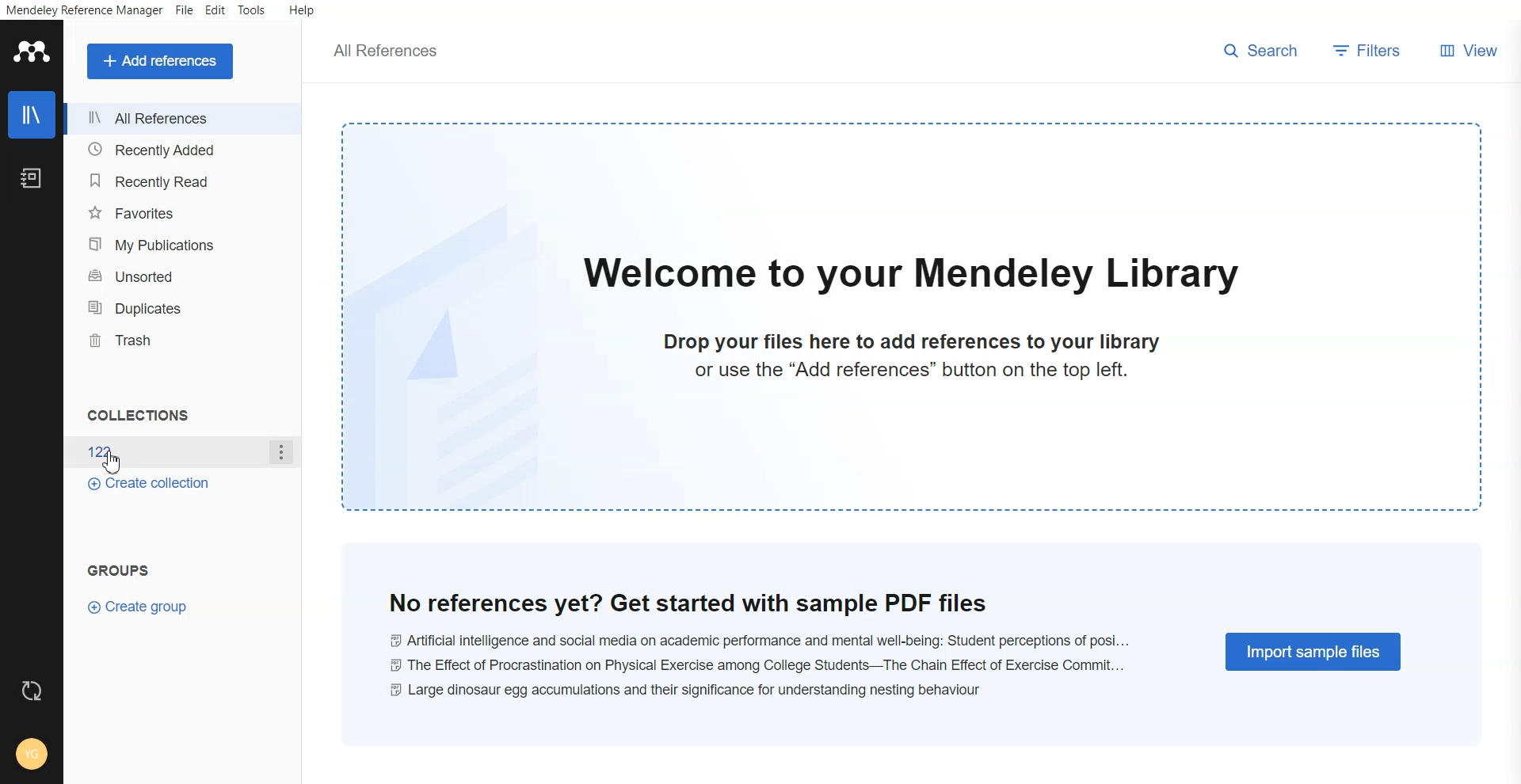 Image resolution: width=1521 pixels, height=784 pixels. What do you see at coordinates (181, 119) in the screenshot?
I see `All references` at bounding box center [181, 119].